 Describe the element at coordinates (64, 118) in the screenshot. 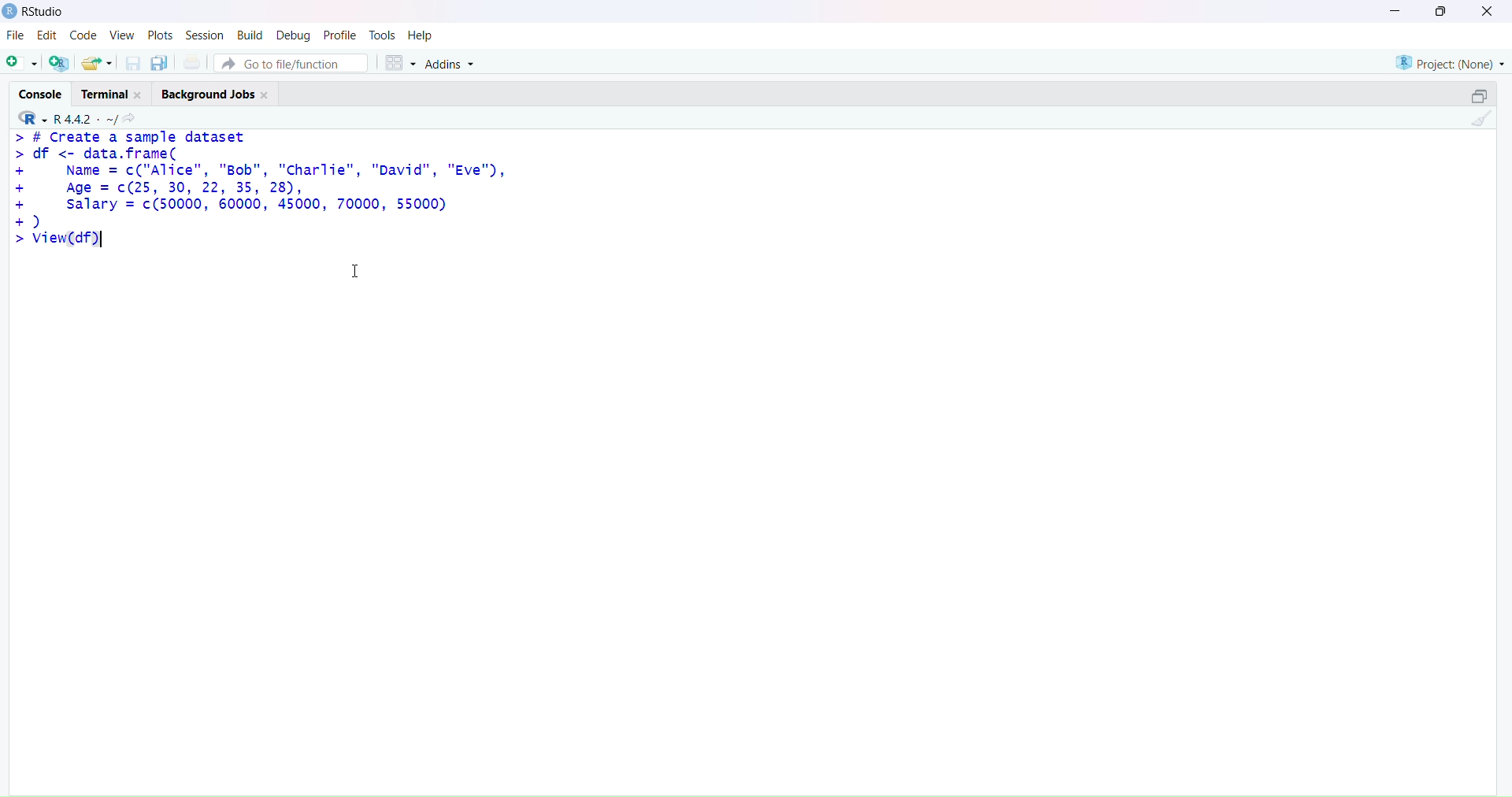

I see `R 4.4.2` at that location.